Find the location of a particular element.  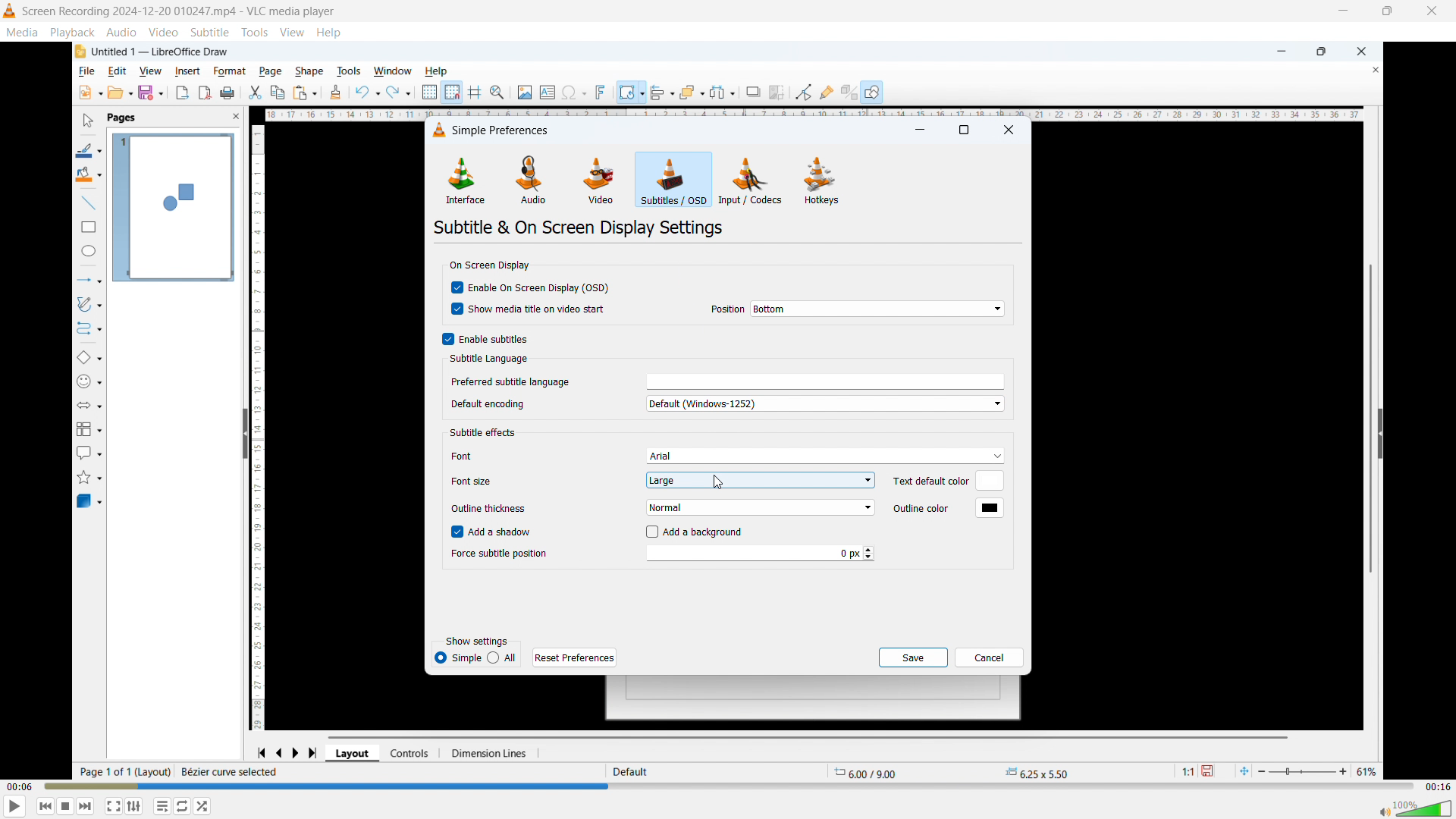

Preferred subtitle language is located at coordinates (510, 383).